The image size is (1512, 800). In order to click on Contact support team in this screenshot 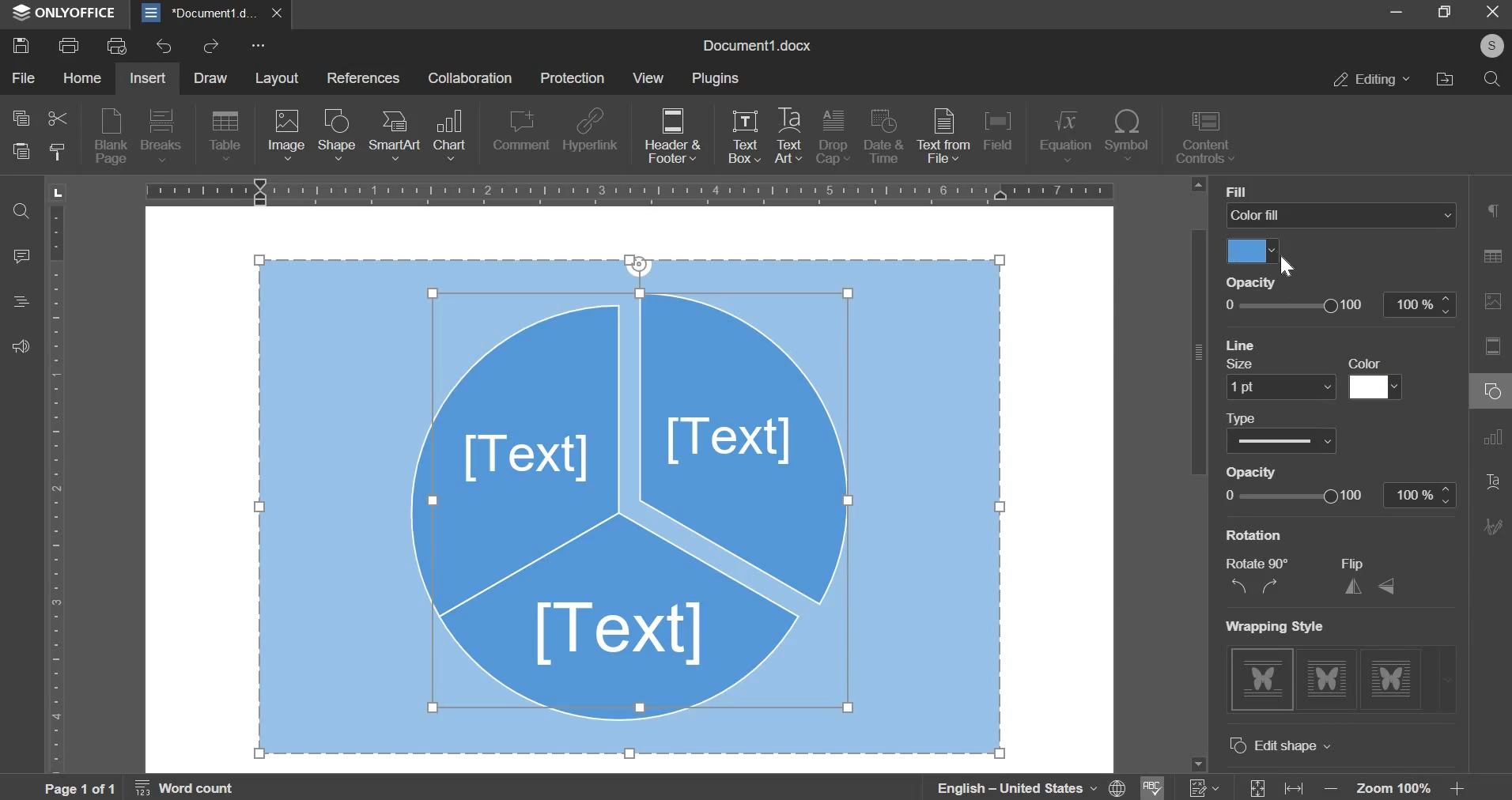, I will do `click(21, 348)`.